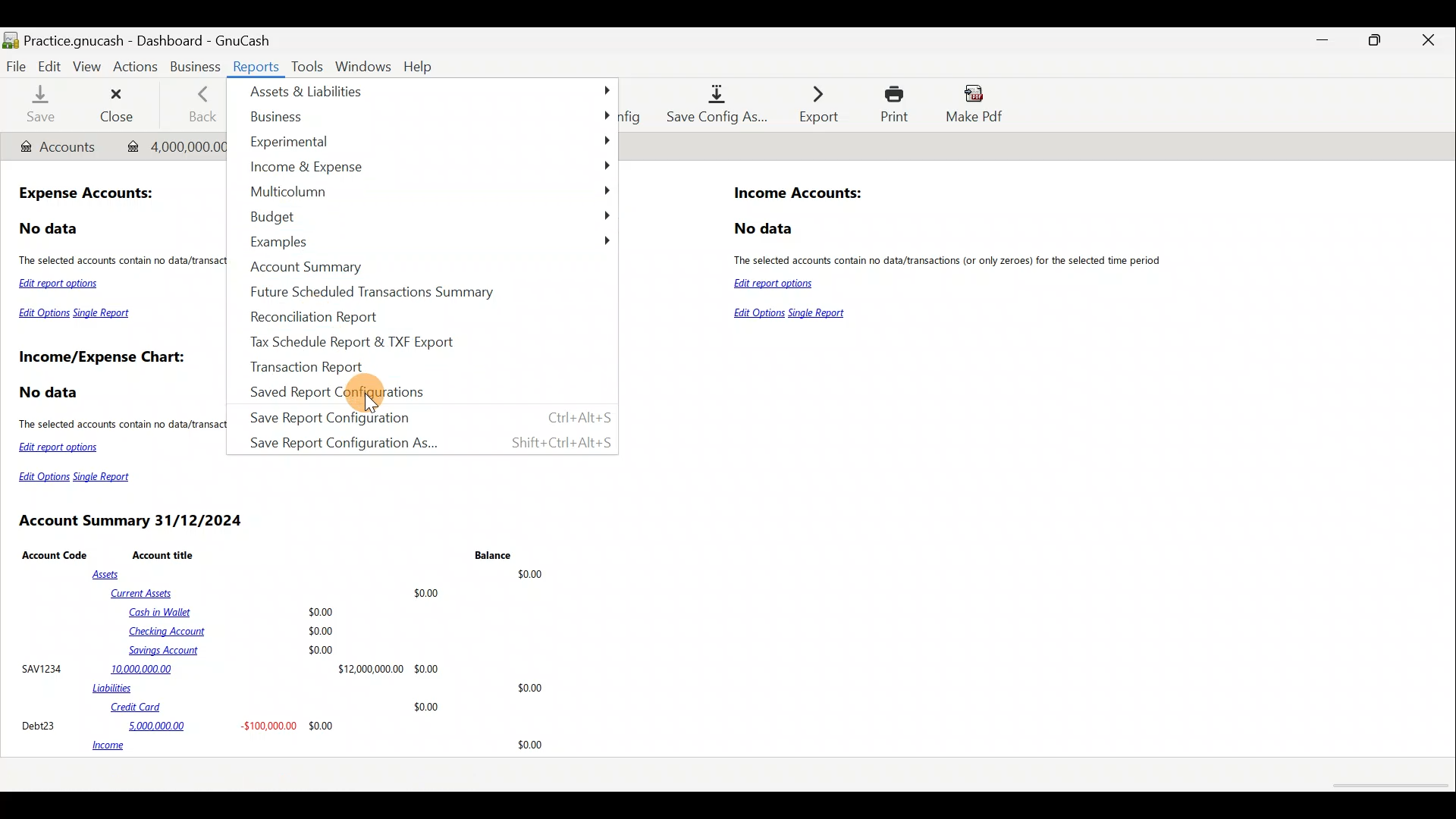 This screenshot has width=1456, height=819. What do you see at coordinates (88, 195) in the screenshot?
I see `Expense Accounts:` at bounding box center [88, 195].